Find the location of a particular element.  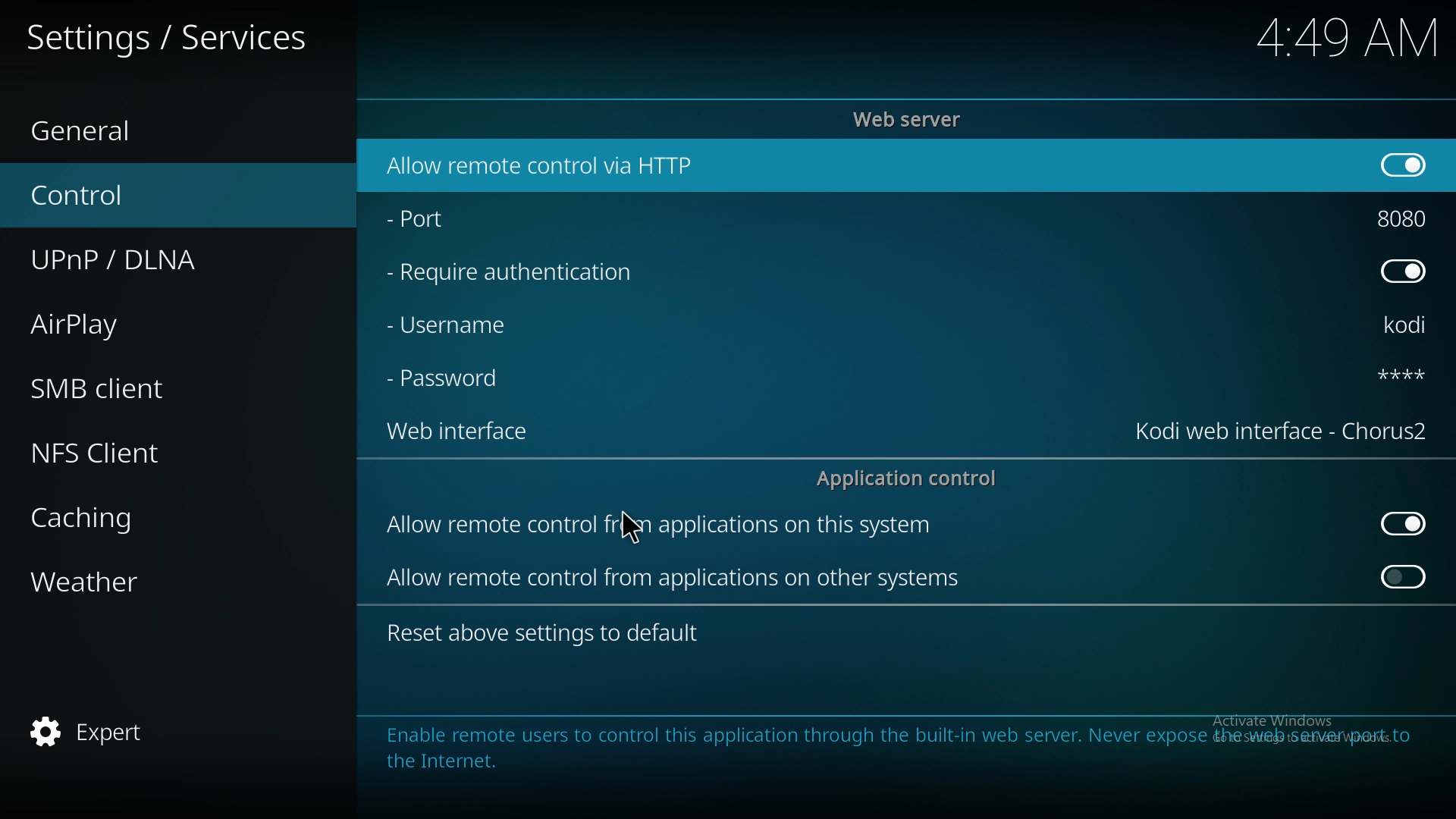

expert is located at coordinates (100, 733).